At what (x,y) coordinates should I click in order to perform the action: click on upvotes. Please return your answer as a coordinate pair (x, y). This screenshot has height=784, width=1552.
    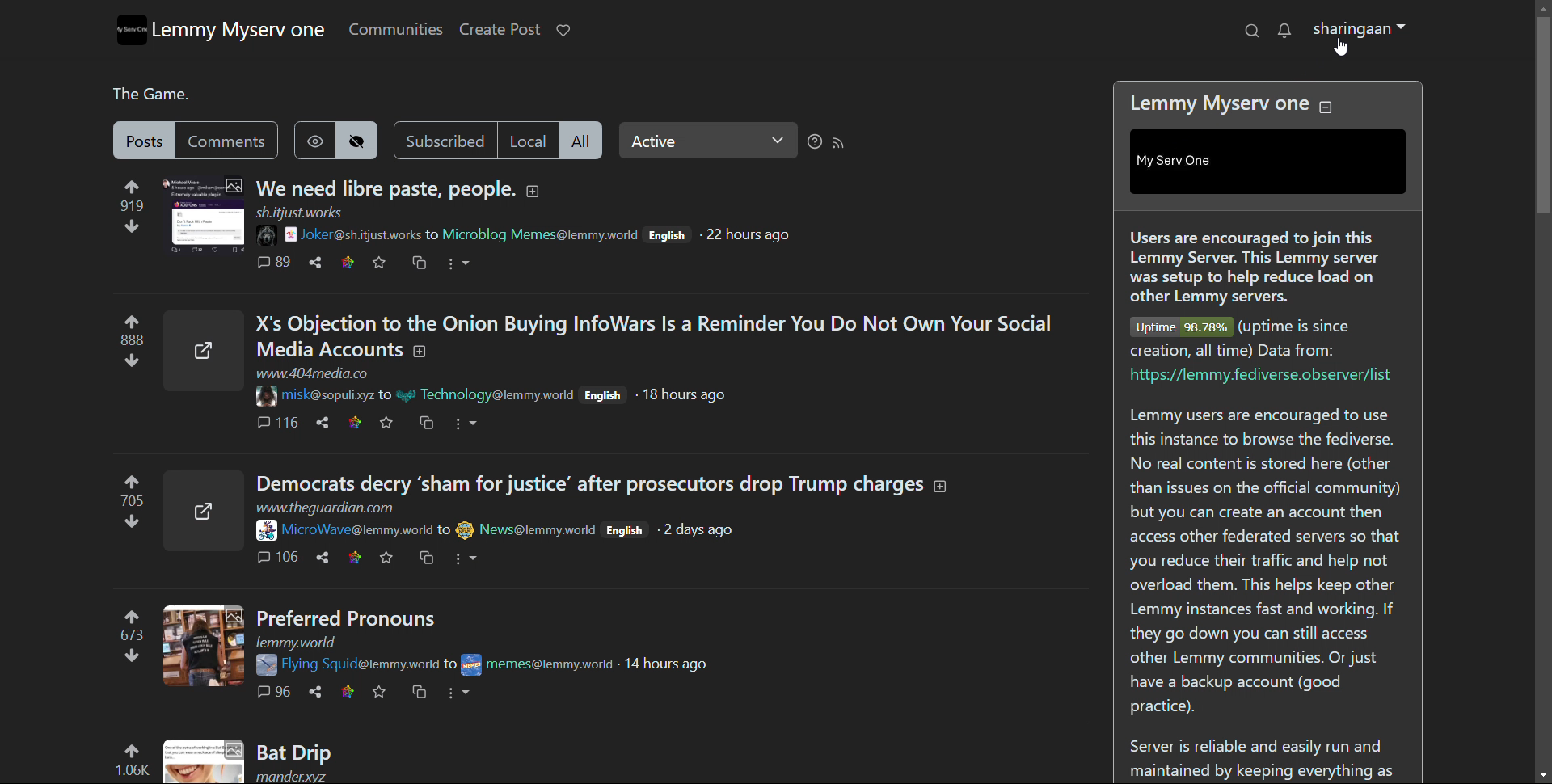
    Looking at the image, I should click on (133, 321).